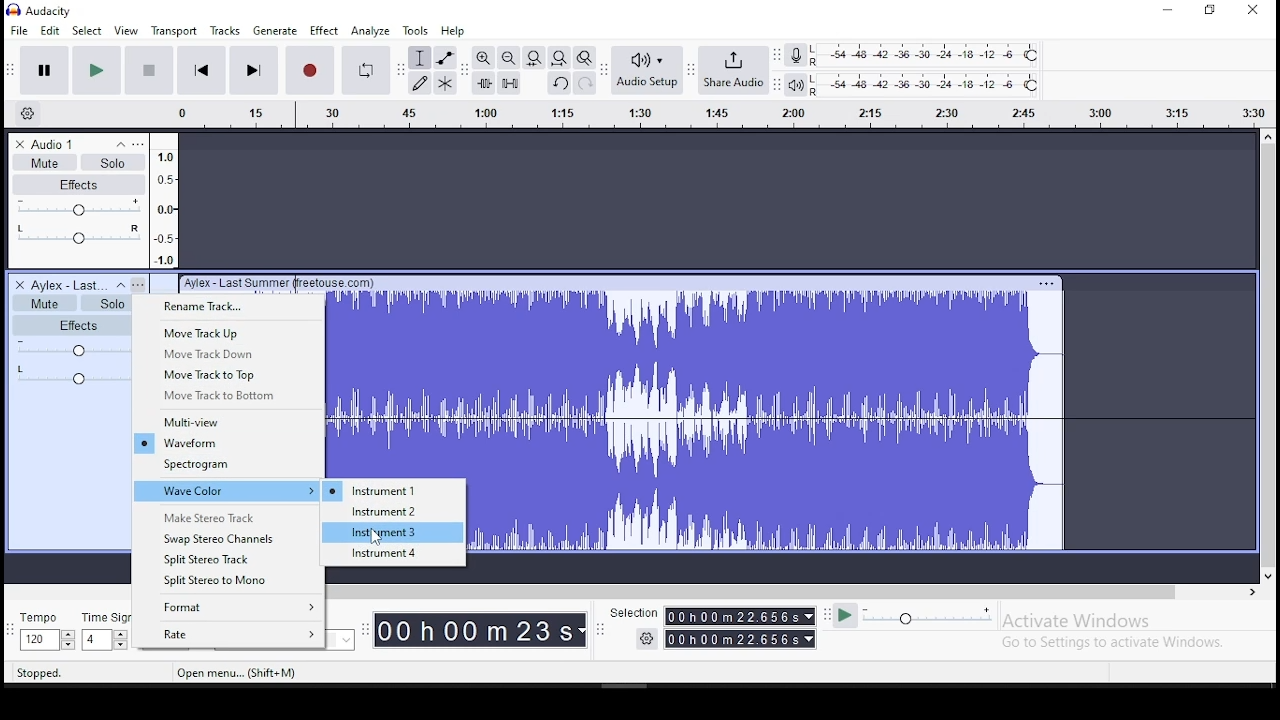 The image size is (1280, 720). What do you see at coordinates (228, 333) in the screenshot?
I see `move track up` at bounding box center [228, 333].